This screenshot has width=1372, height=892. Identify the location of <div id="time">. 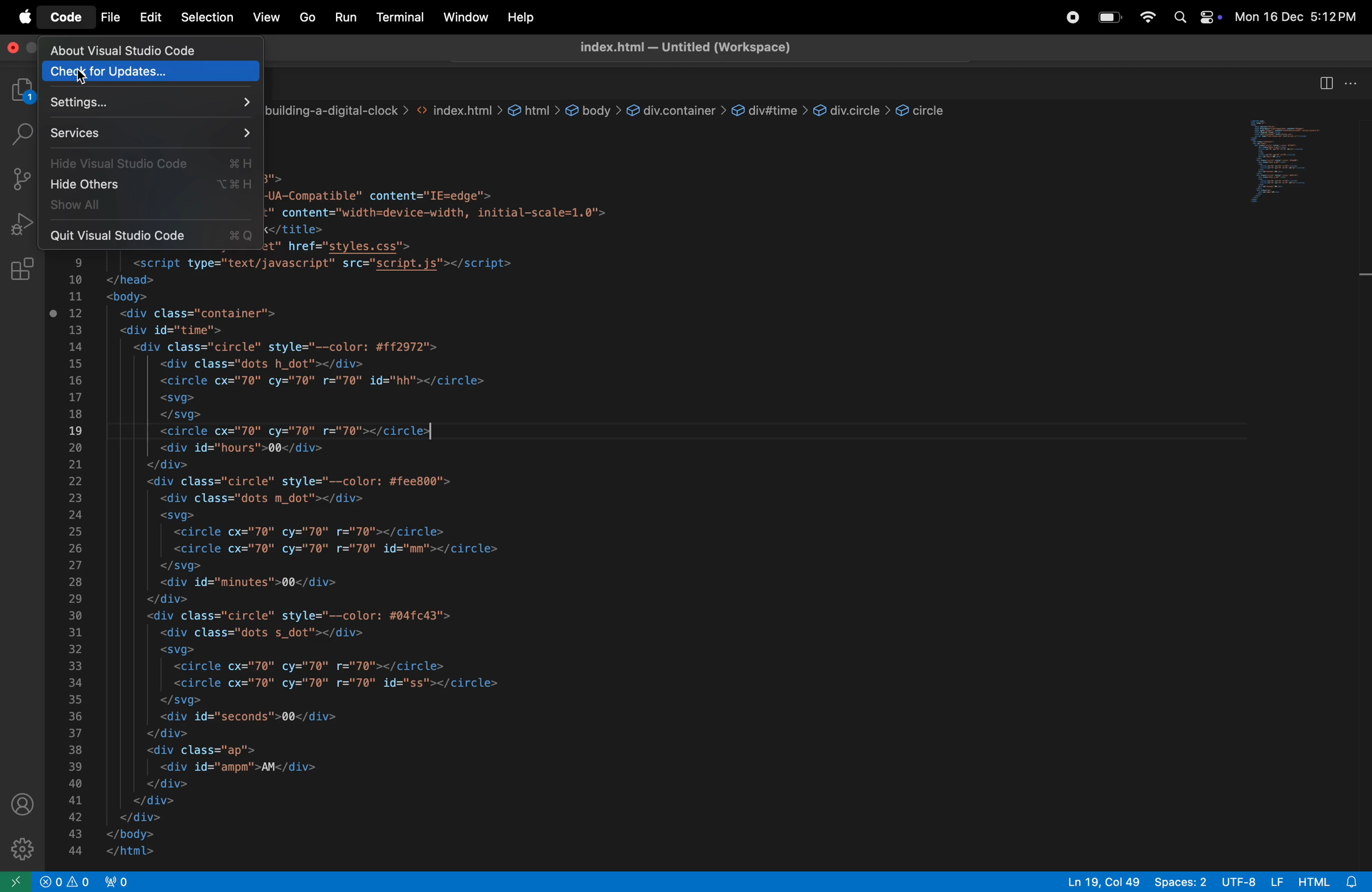
(176, 329).